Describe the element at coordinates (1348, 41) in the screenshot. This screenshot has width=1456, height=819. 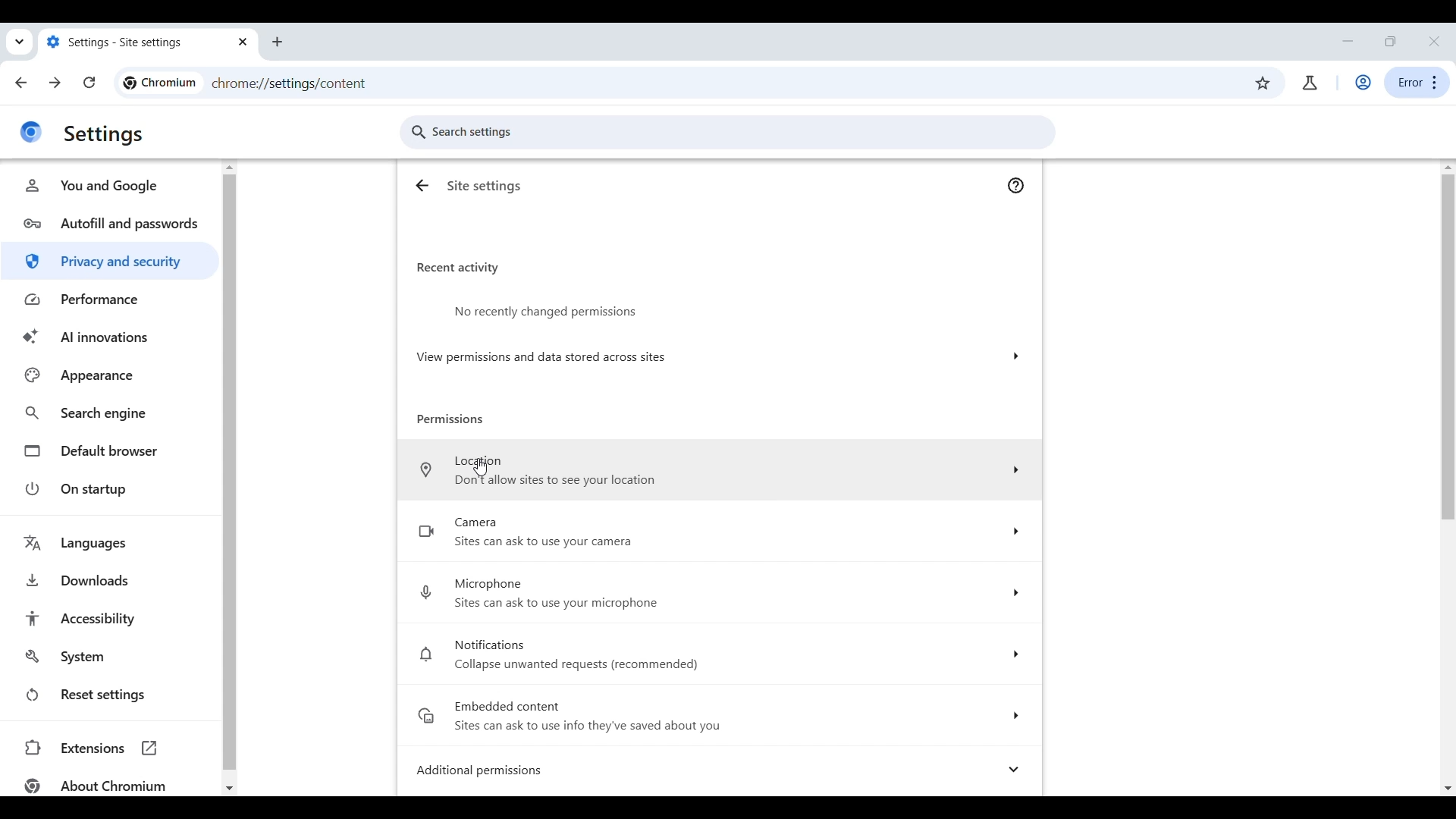
I see `Minimize` at that location.